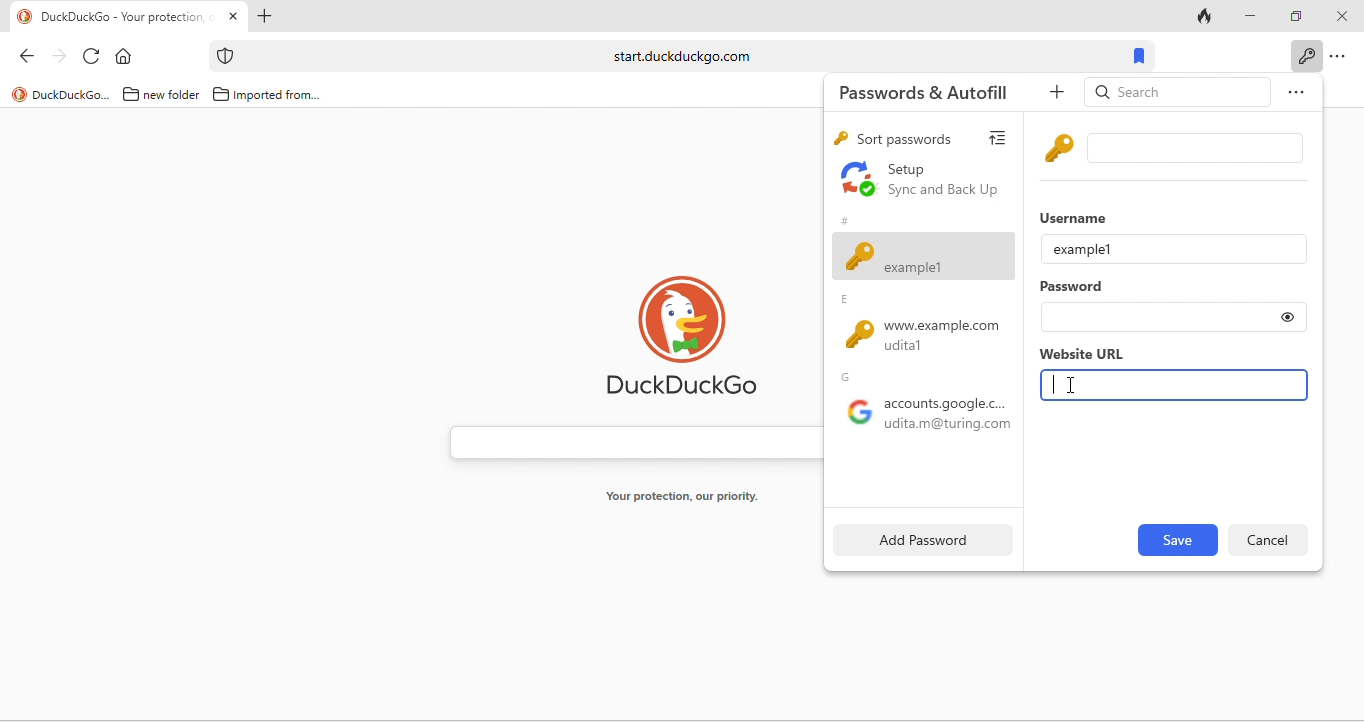 The height and width of the screenshot is (722, 1364). Describe the element at coordinates (1078, 216) in the screenshot. I see `username` at that location.